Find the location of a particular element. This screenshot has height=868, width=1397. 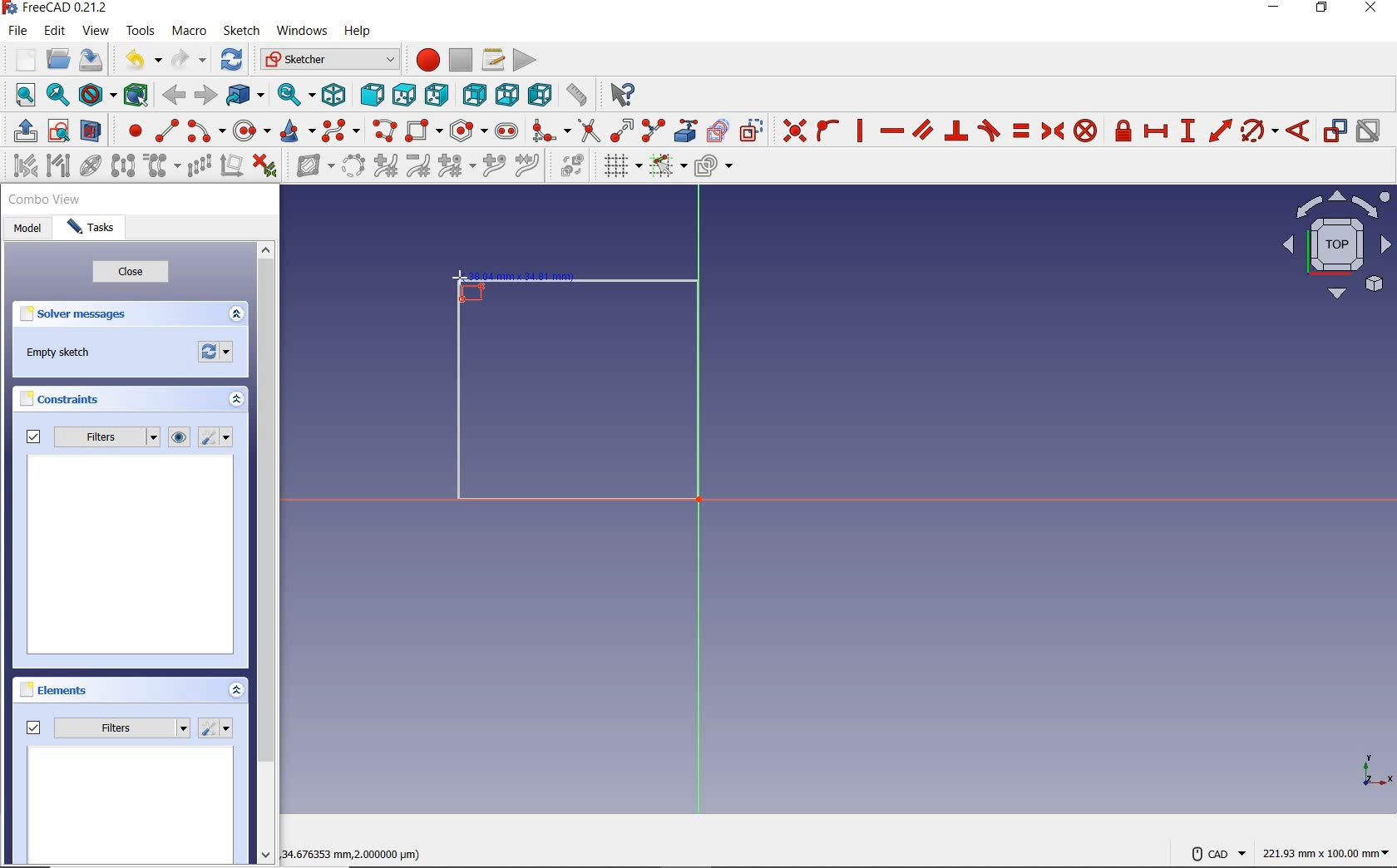

back is located at coordinates (176, 95).